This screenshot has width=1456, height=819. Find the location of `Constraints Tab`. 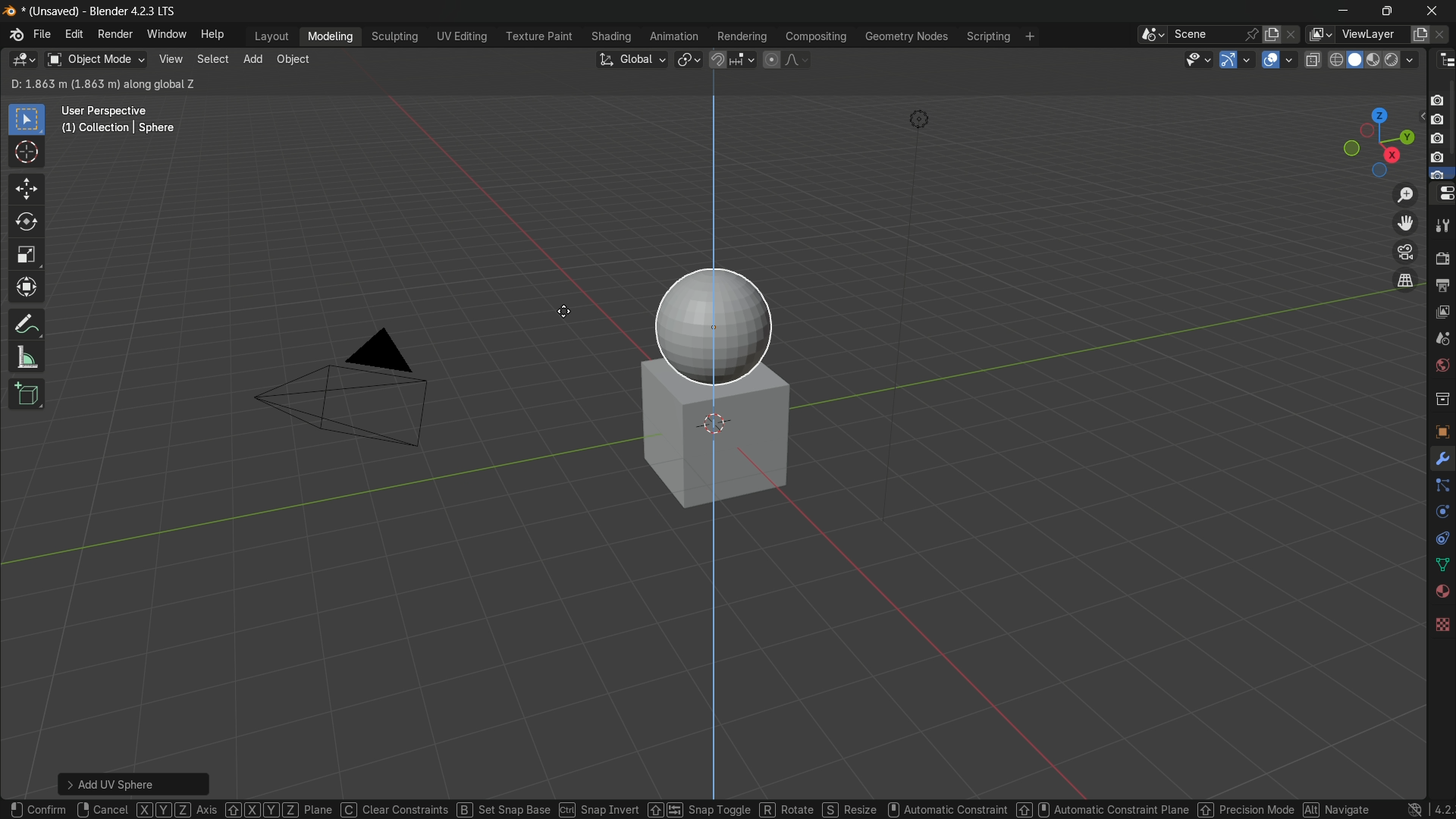

Constraints Tab is located at coordinates (1439, 486).